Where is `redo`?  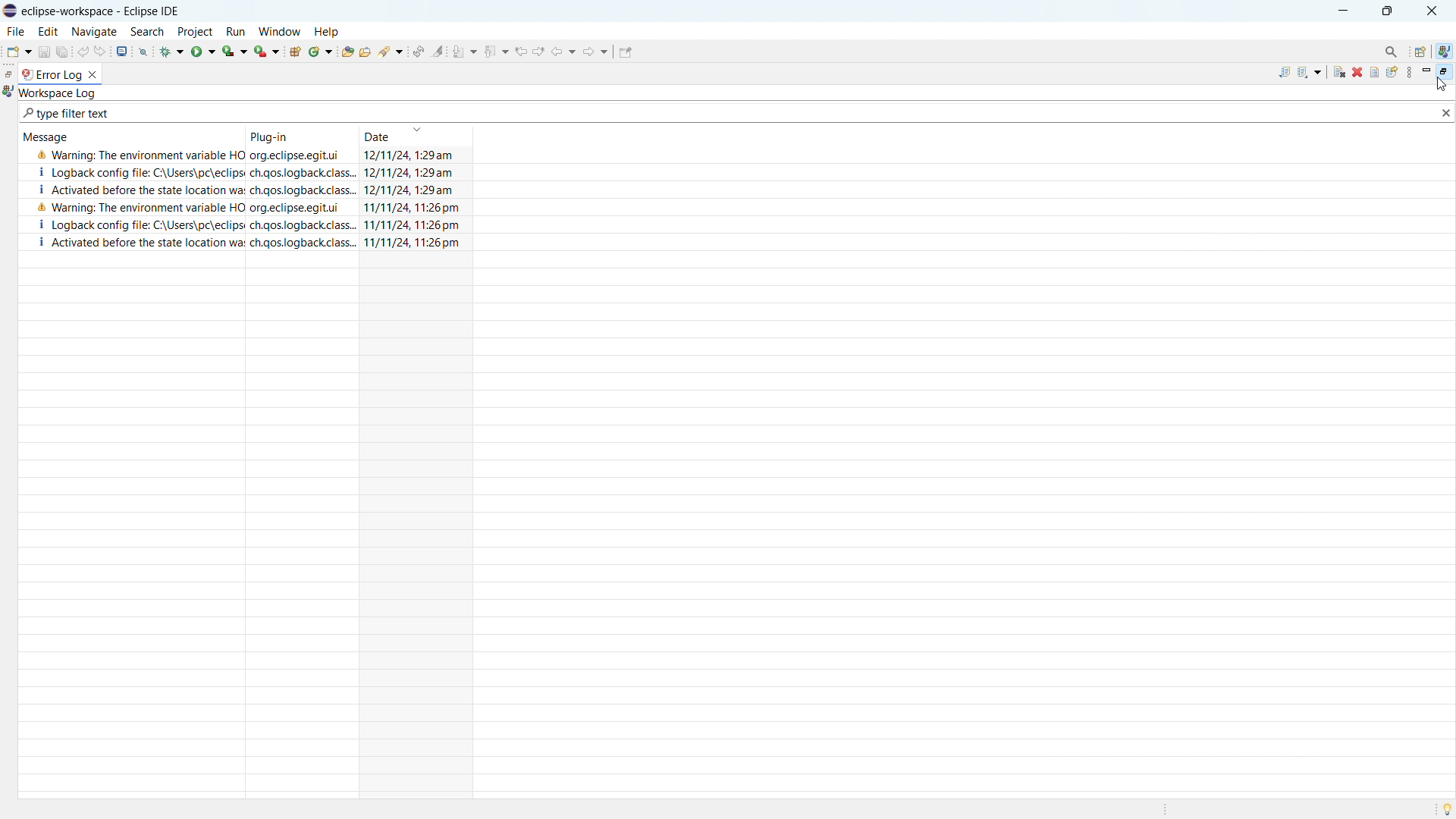
redo is located at coordinates (101, 50).